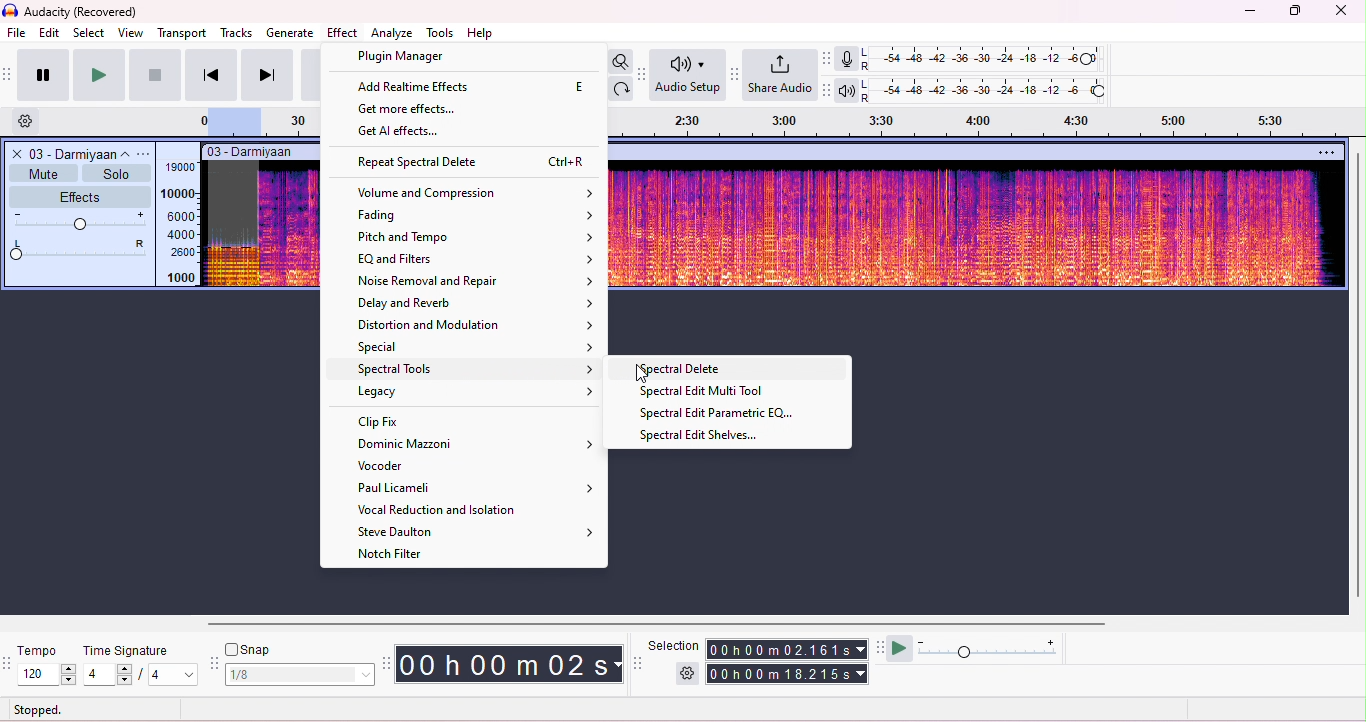 The image size is (1366, 722). Describe the element at coordinates (477, 392) in the screenshot. I see `legacy` at that location.